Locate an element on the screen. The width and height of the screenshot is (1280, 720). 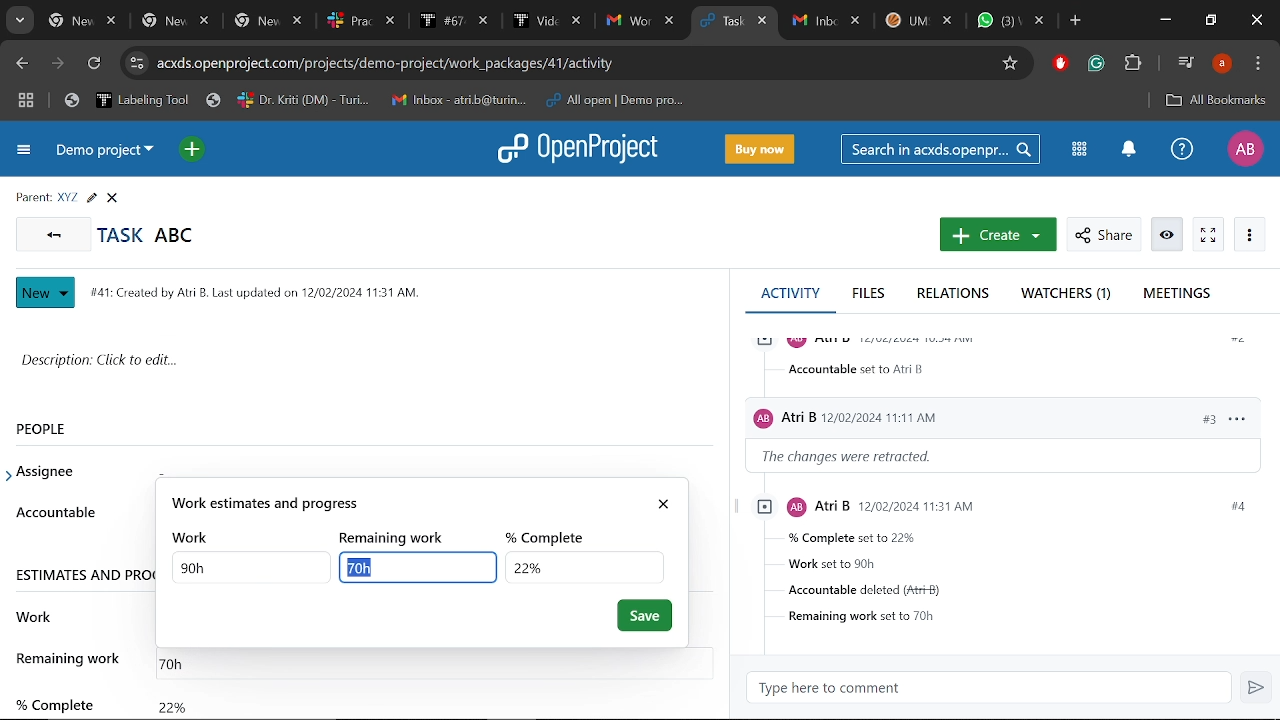
Control audio/video is located at coordinates (1184, 62).